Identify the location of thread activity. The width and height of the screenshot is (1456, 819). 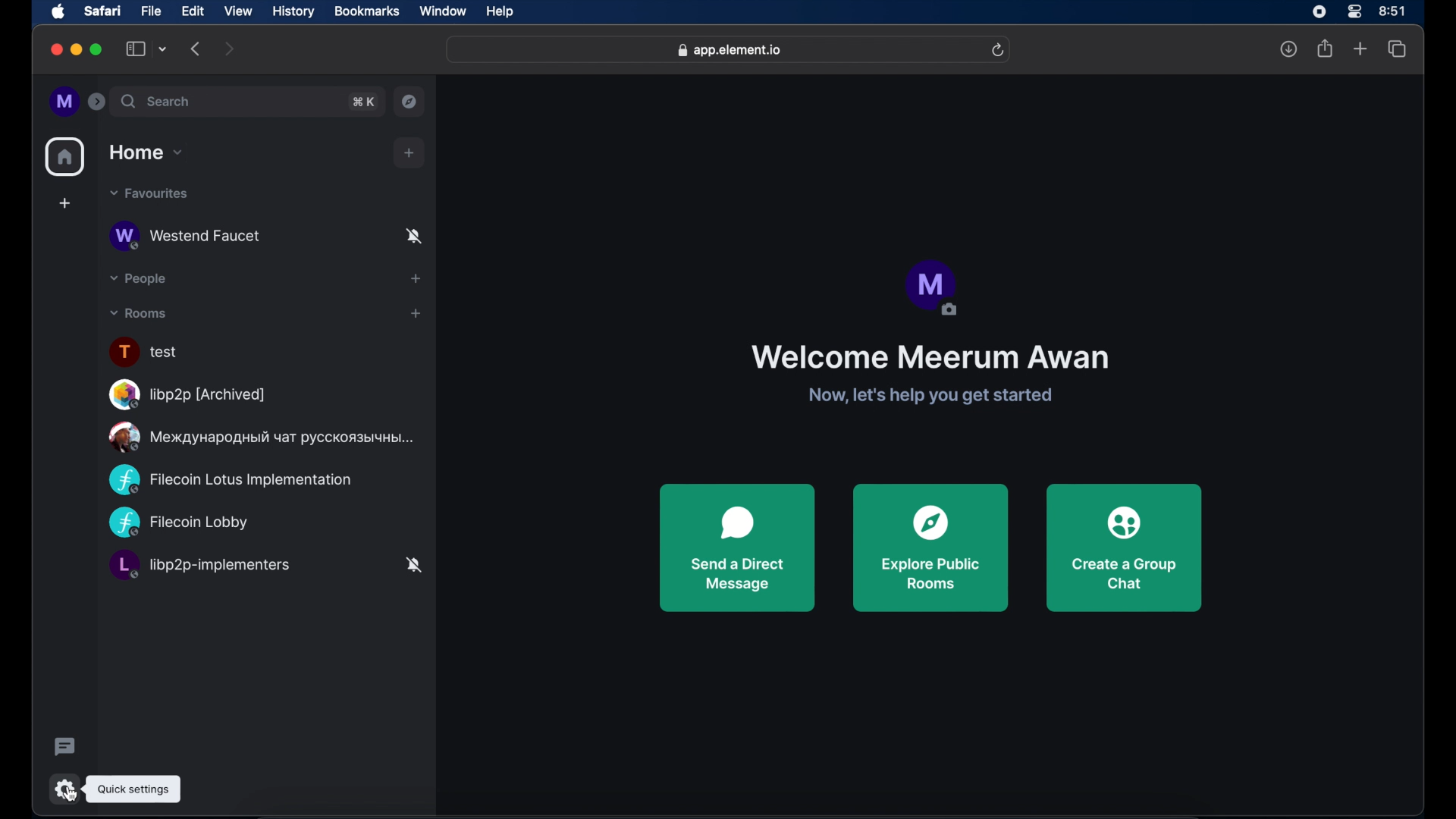
(65, 745).